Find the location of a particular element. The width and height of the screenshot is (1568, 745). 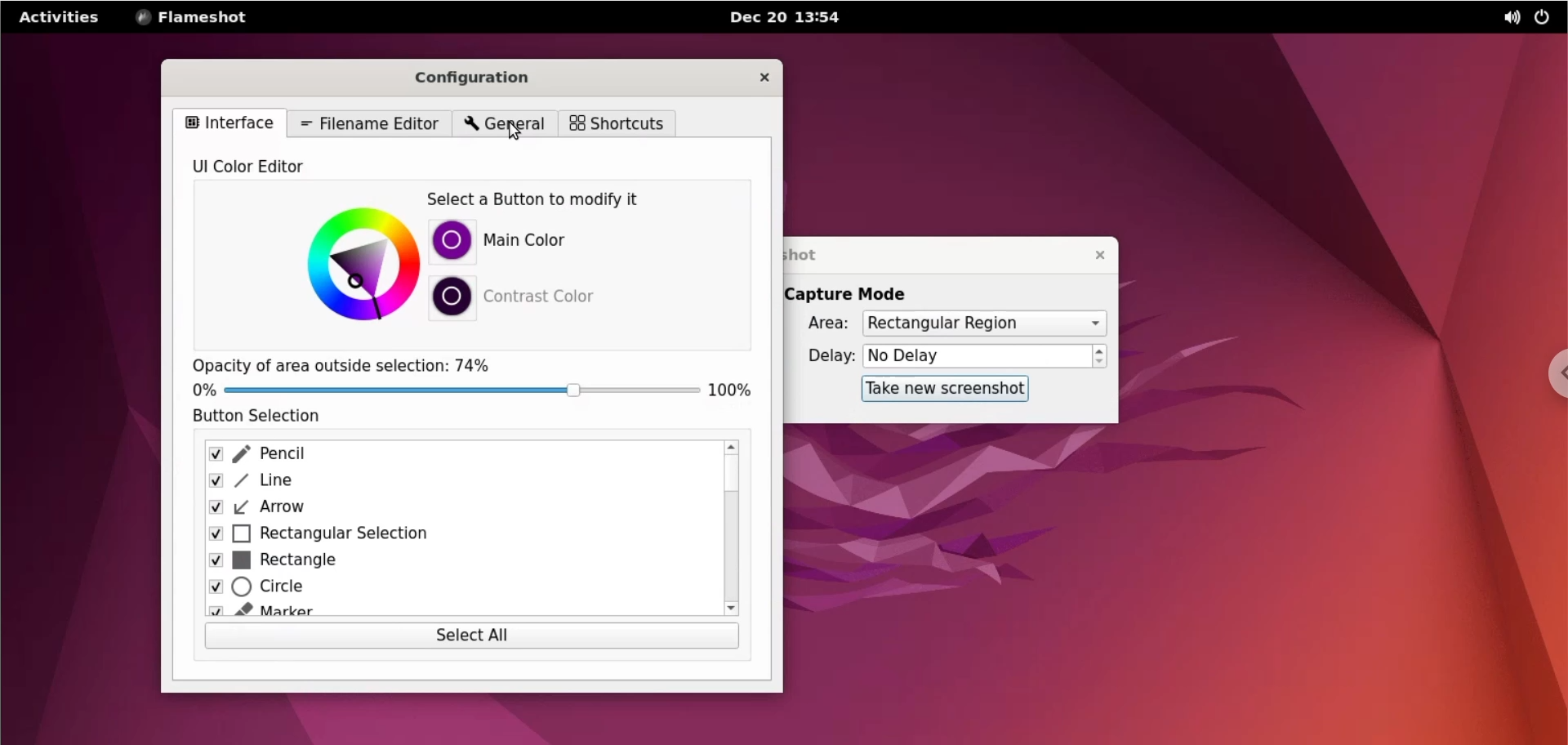

100%  is located at coordinates (733, 390).